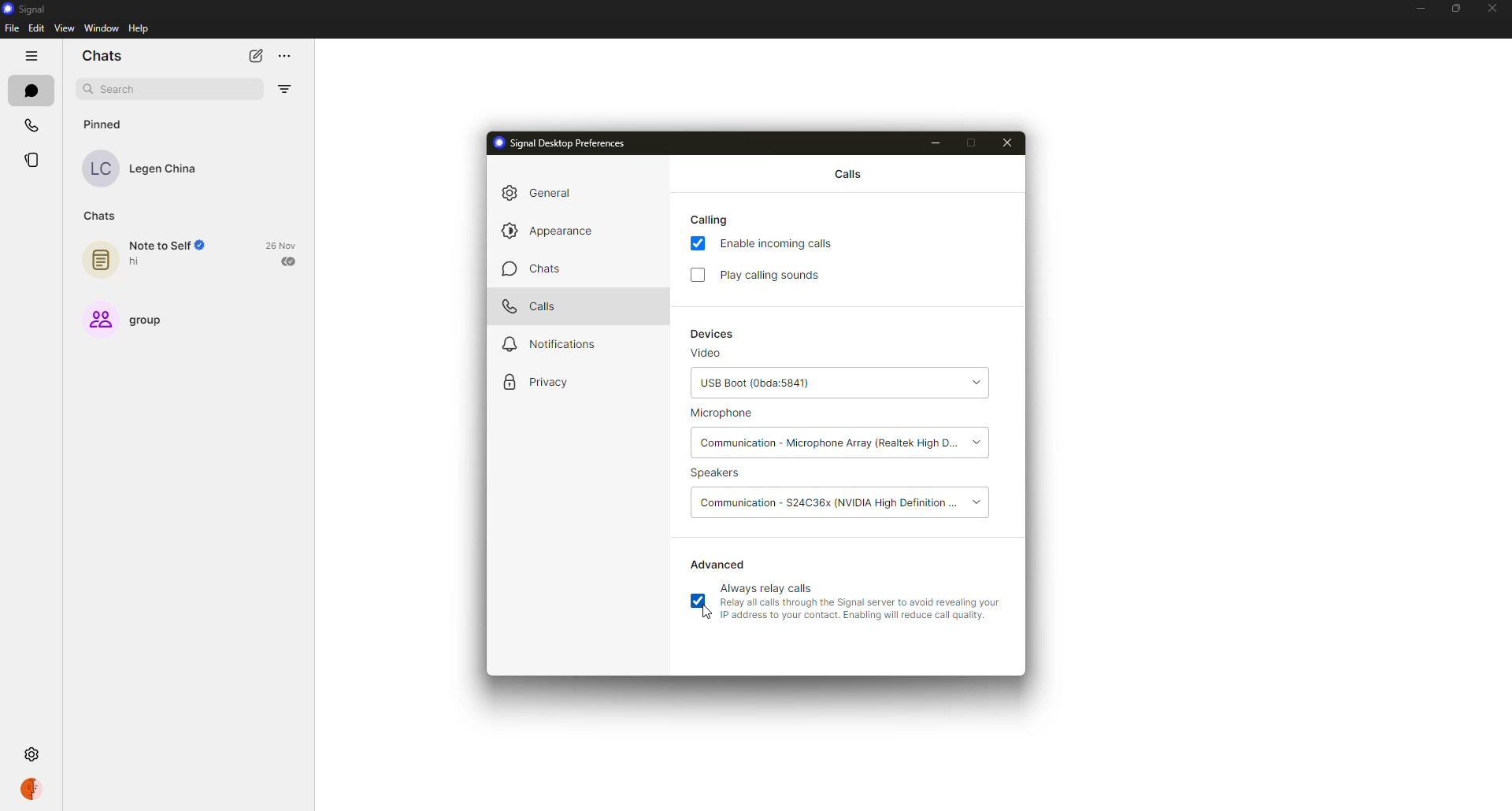 The image size is (1512, 811). What do you see at coordinates (100, 217) in the screenshot?
I see `chats` at bounding box center [100, 217].